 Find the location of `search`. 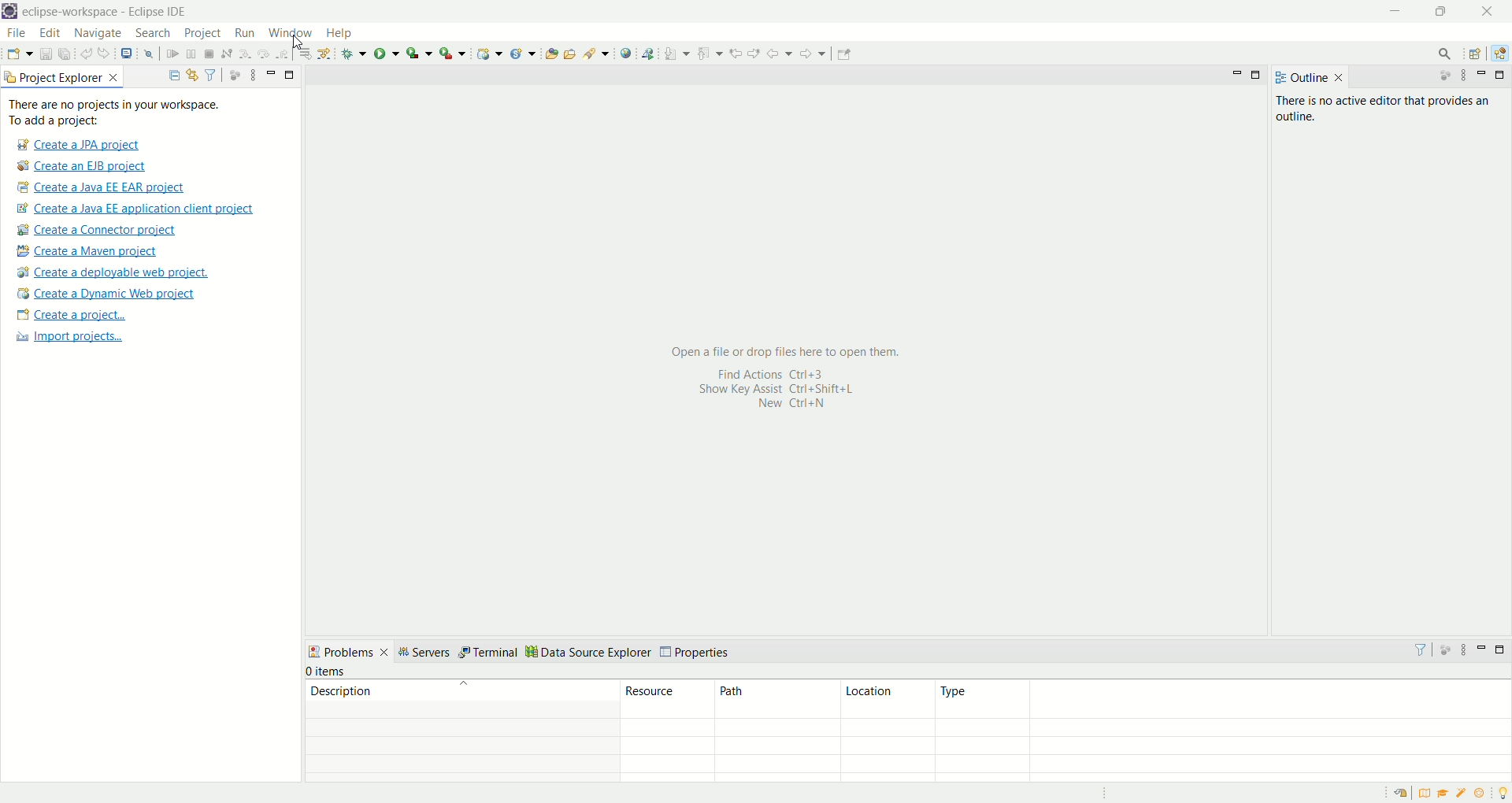

search is located at coordinates (1440, 54).